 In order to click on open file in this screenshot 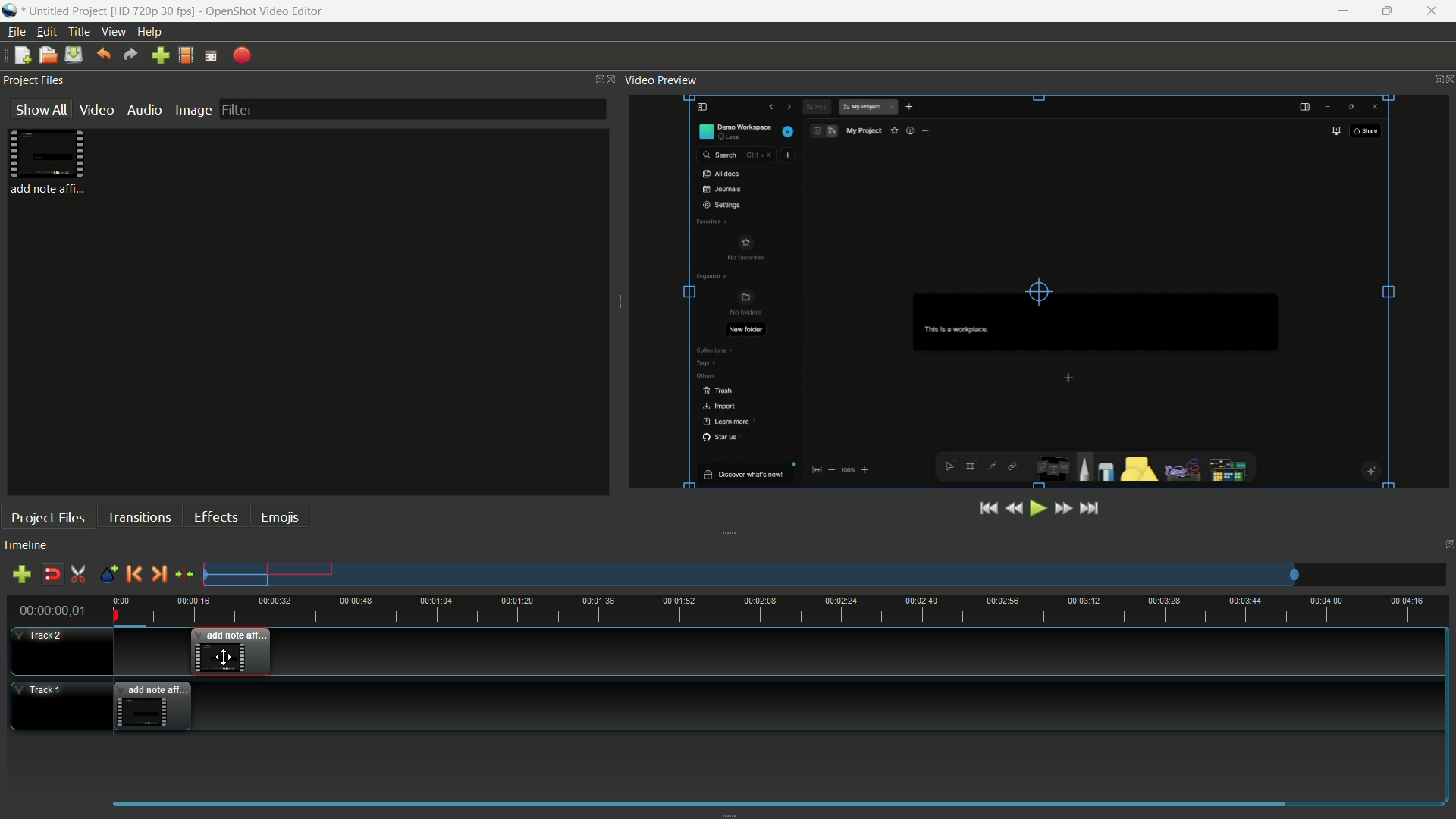, I will do `click(46, 55)`.